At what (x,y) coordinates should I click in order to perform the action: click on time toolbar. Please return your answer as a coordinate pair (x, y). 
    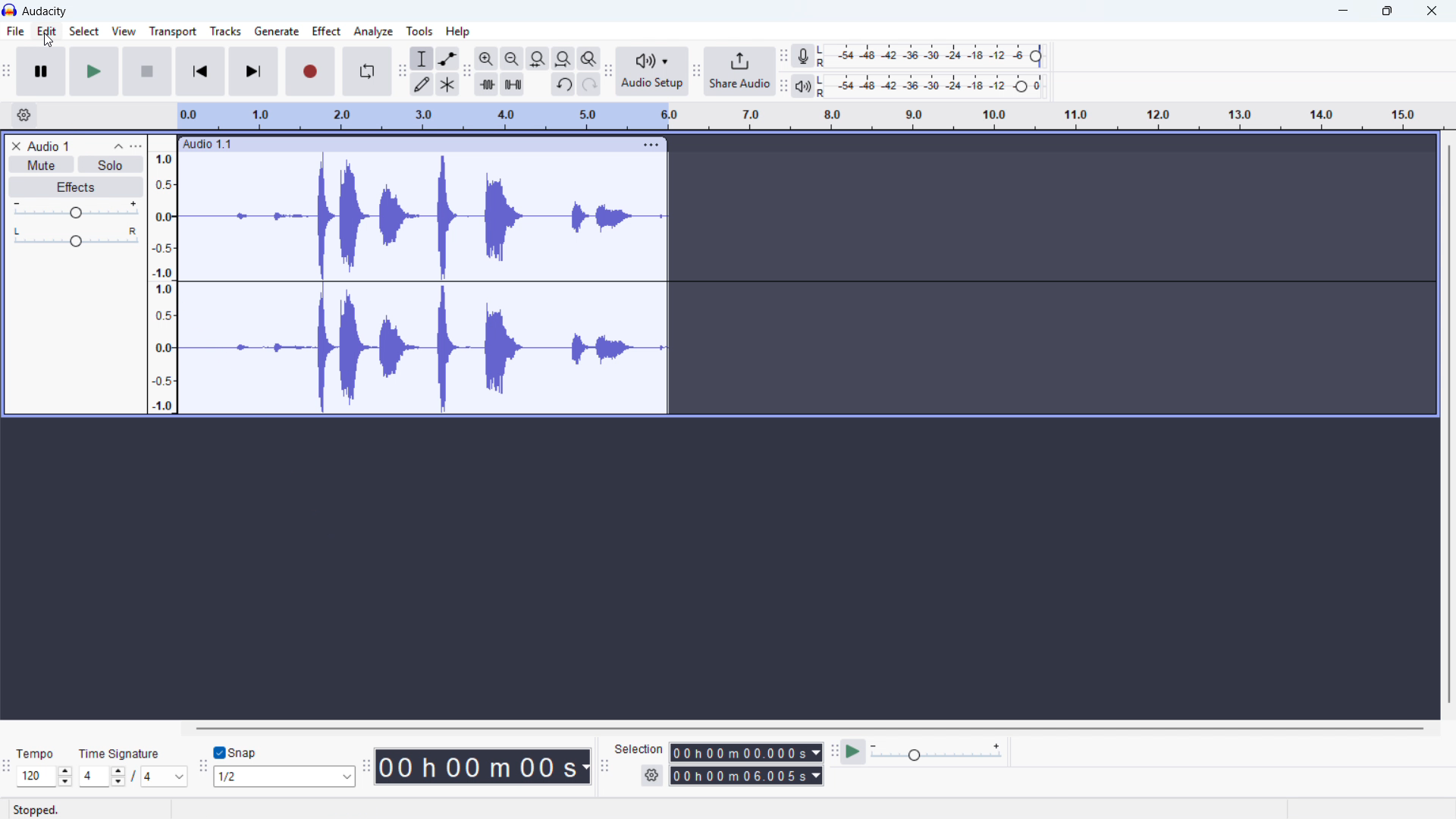
    Looking at the image, I should click on (366, 767).